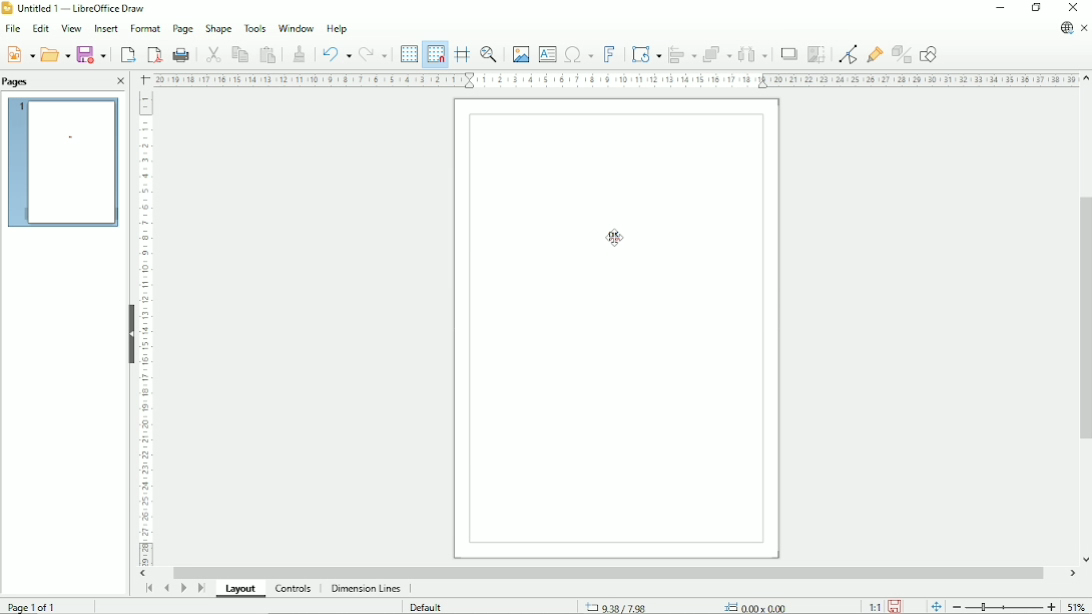 Image resolution: width=1092 pixels, height=614 pixels. Describe the element at coordinates (56, 54) in the screenshot. I see `Open` at that location.